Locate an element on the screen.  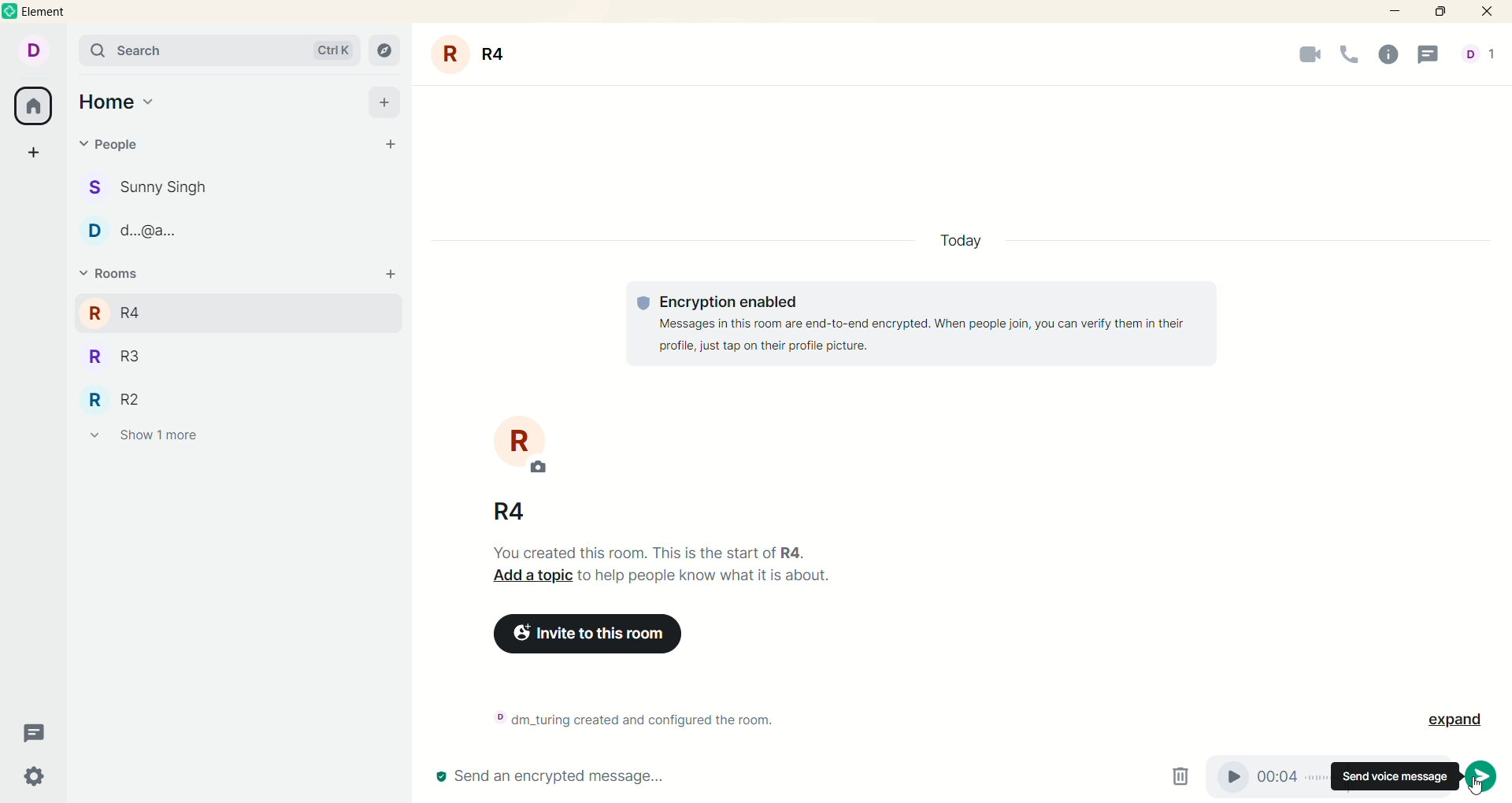
add is located at coordinates (384, 102).